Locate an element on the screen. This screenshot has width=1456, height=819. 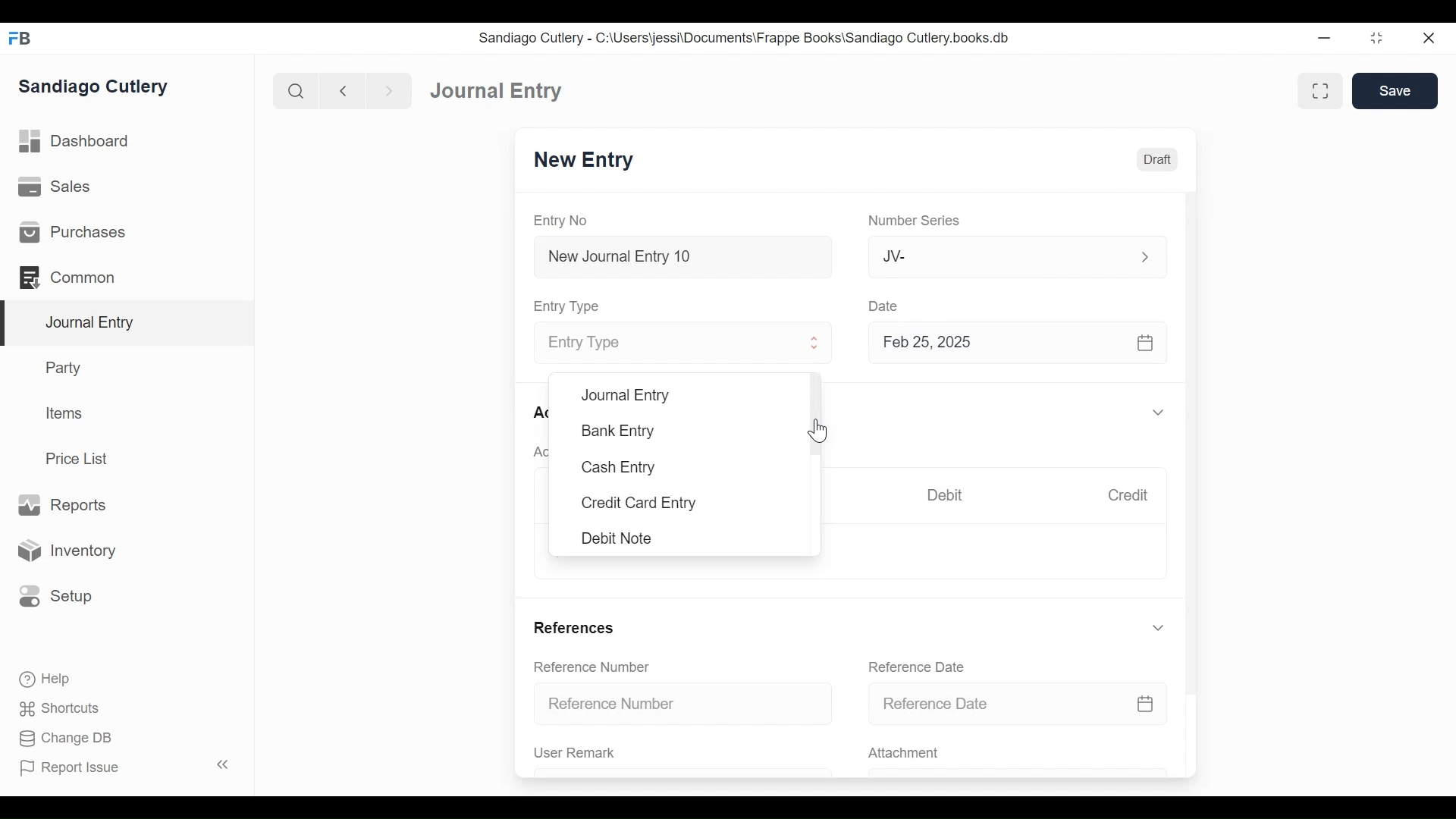
Sandiago Cutlery is located at coordinates (94, 87).